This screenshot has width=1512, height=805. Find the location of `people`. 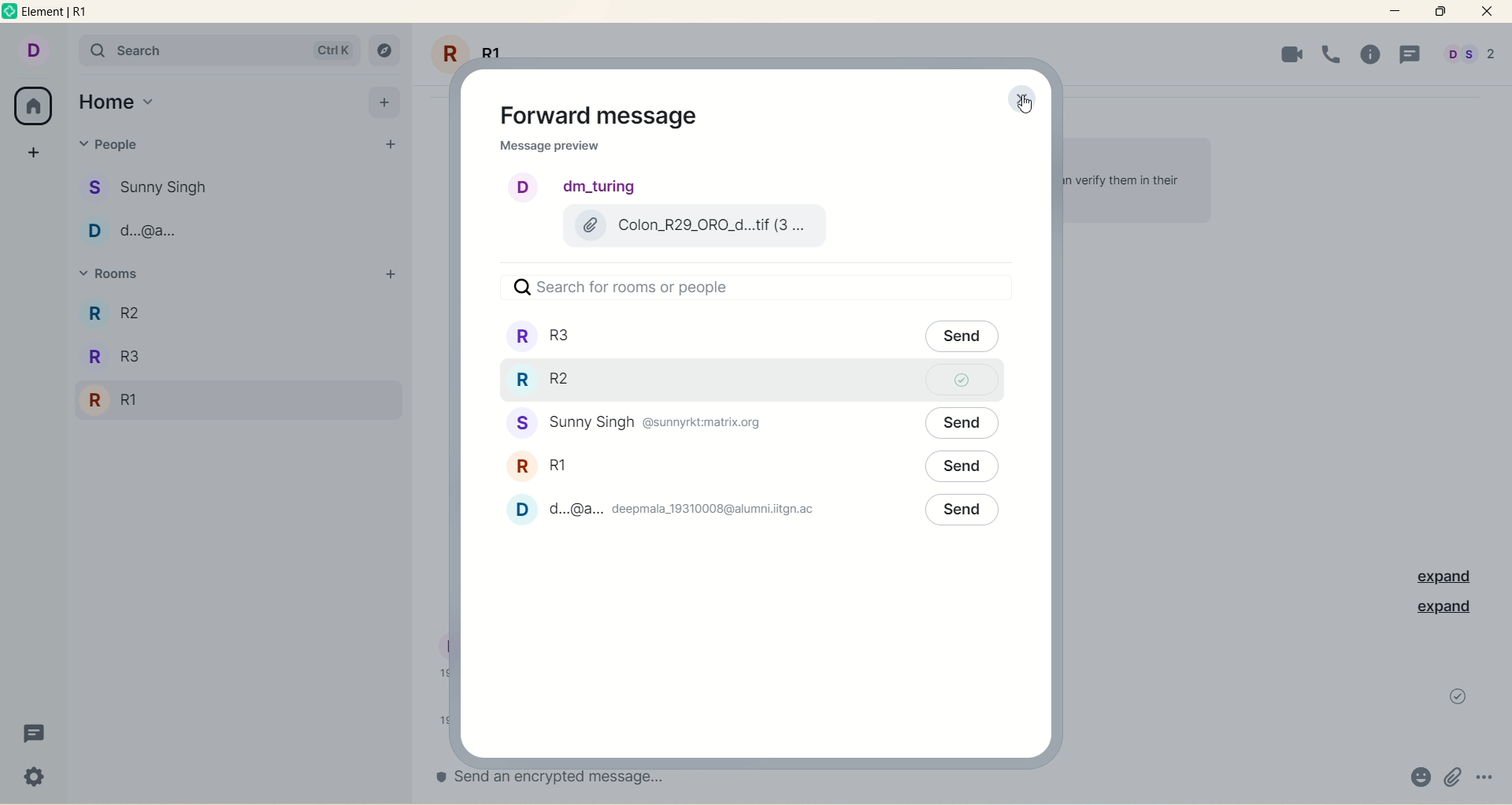

people is located at coordinates (651, 511).